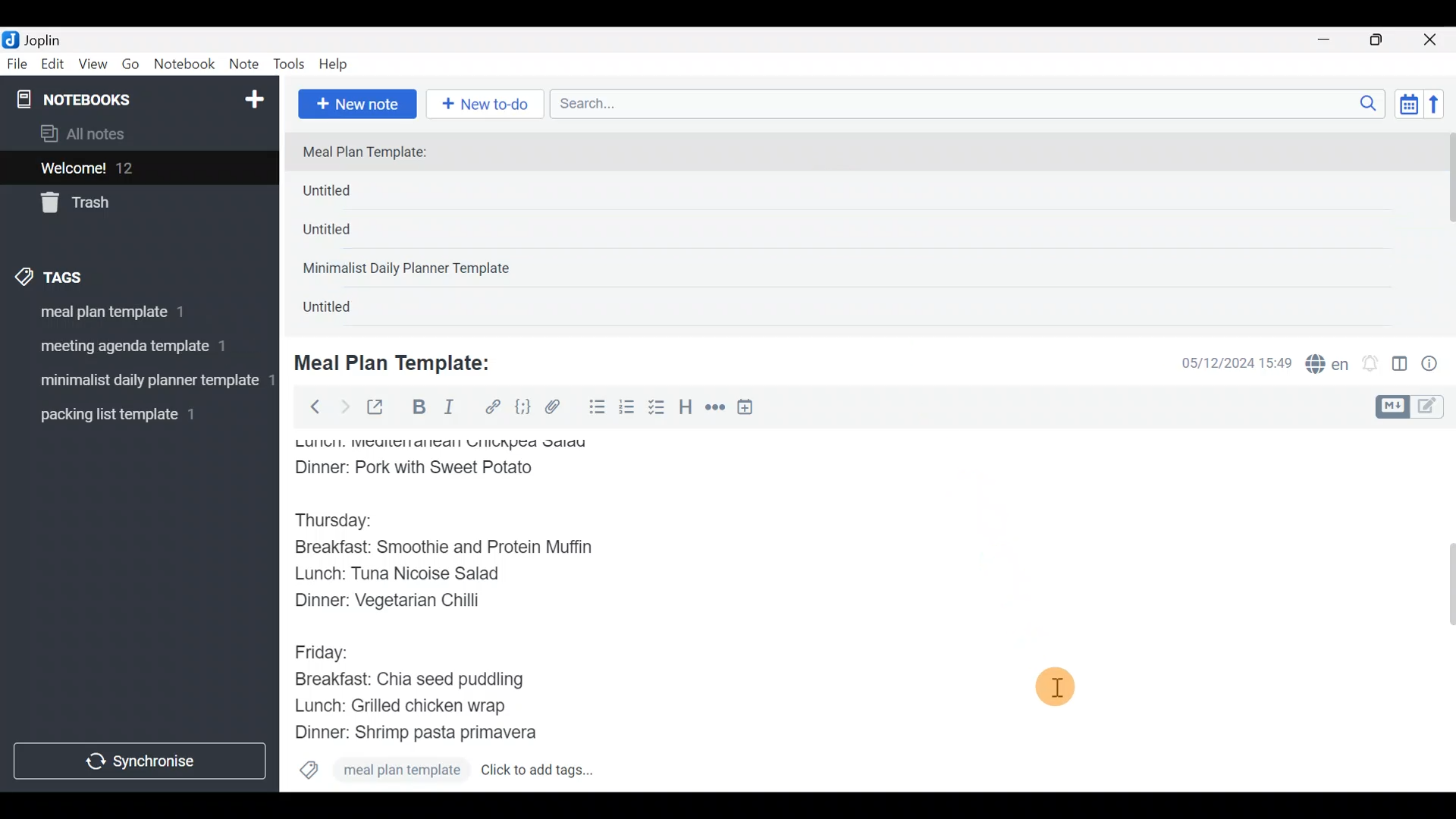  What do you see at coordinates (435, 468) in the screenshot?
I see `Dinner: Pork with Sweet Potato` at bounding box center [435, 468].